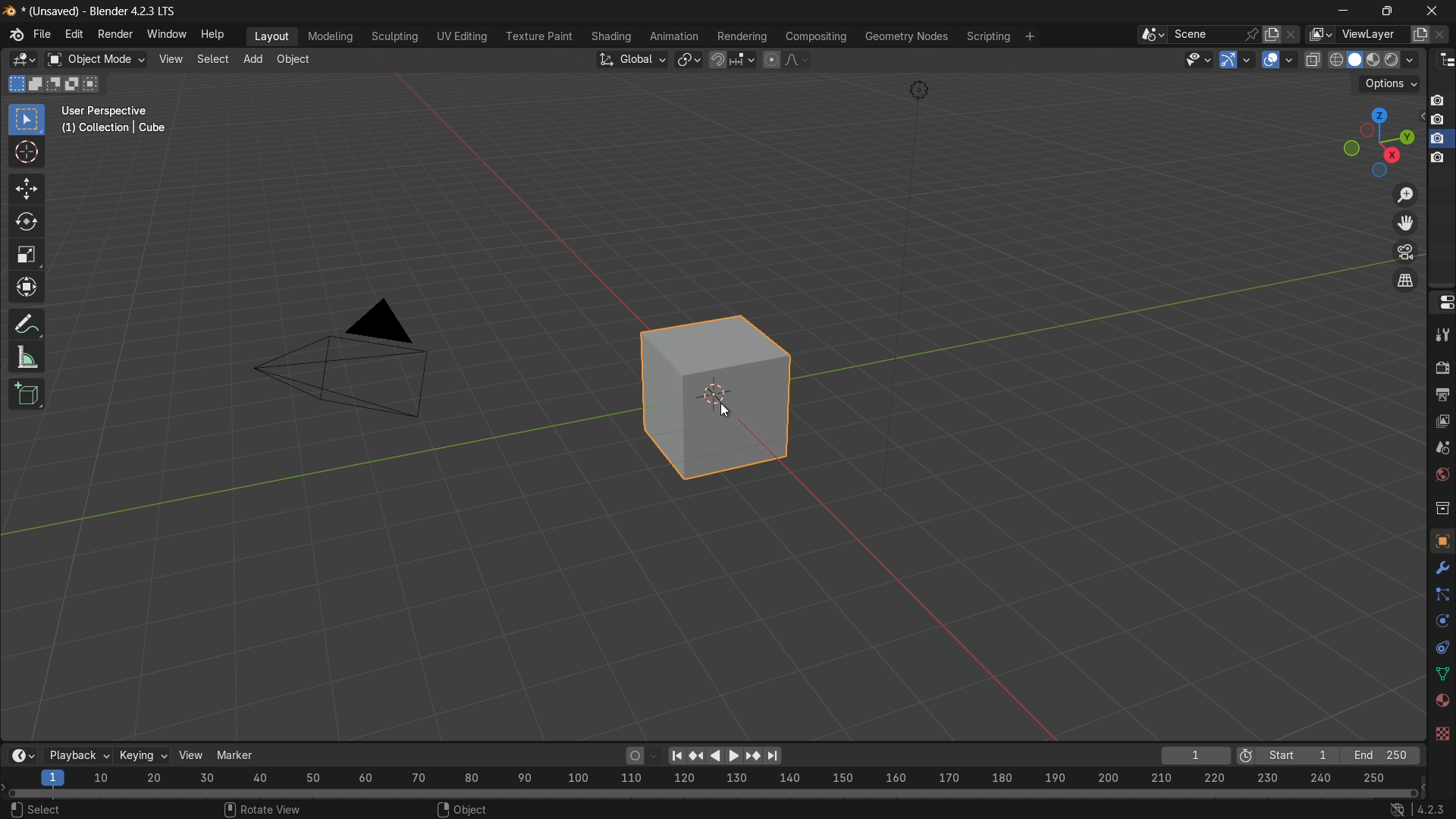 The width and height of the screenshot is (1456, 819). Describe the element at coordinates (133, 14) in the screenshot. I see `app name` at that location.